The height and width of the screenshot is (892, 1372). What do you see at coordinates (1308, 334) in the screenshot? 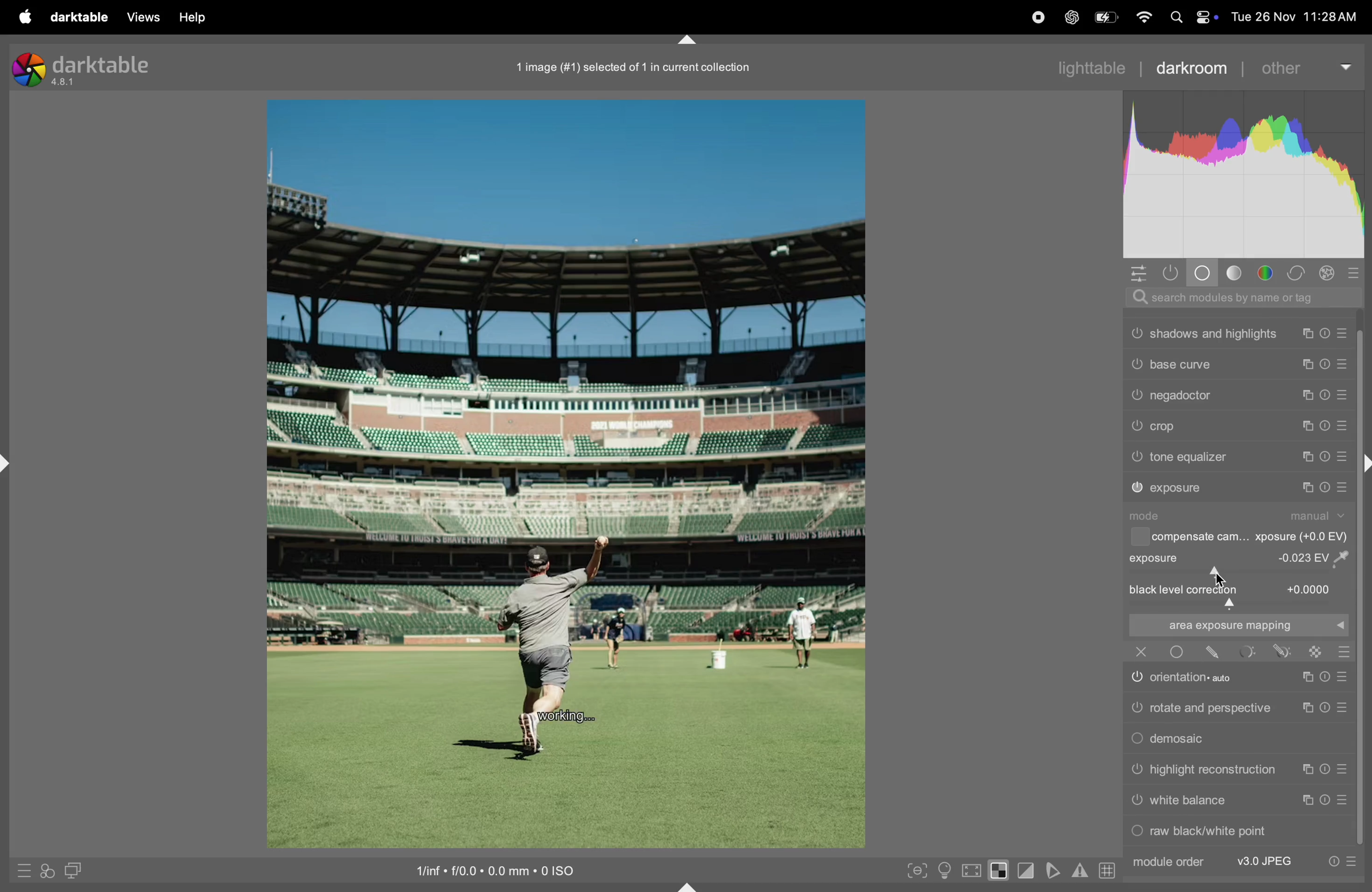
I see `copy` at bounding box center [1308, 334].